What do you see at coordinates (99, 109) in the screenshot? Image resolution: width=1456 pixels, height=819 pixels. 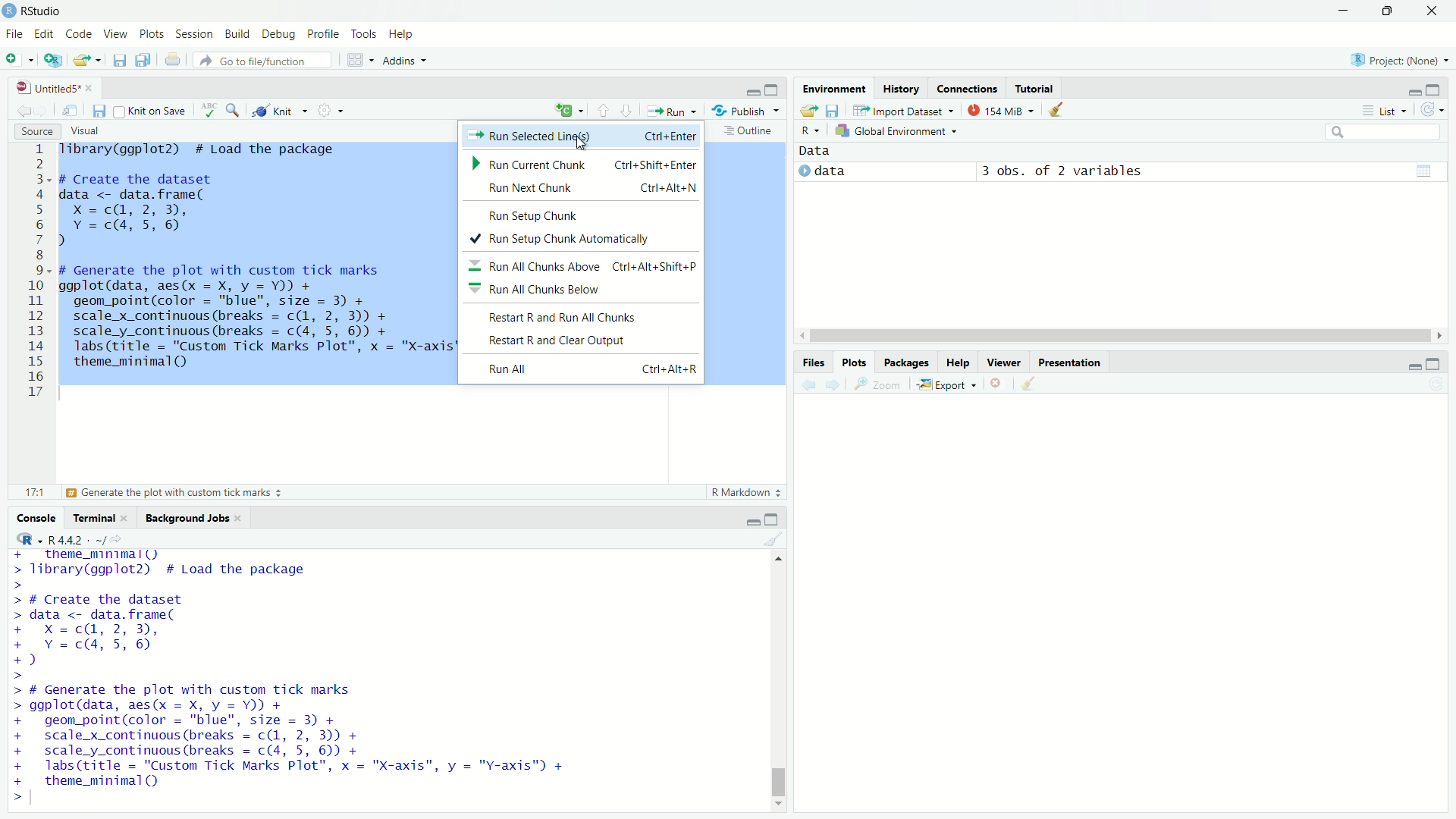 I see `save current document` at bounding box center [99, 109].